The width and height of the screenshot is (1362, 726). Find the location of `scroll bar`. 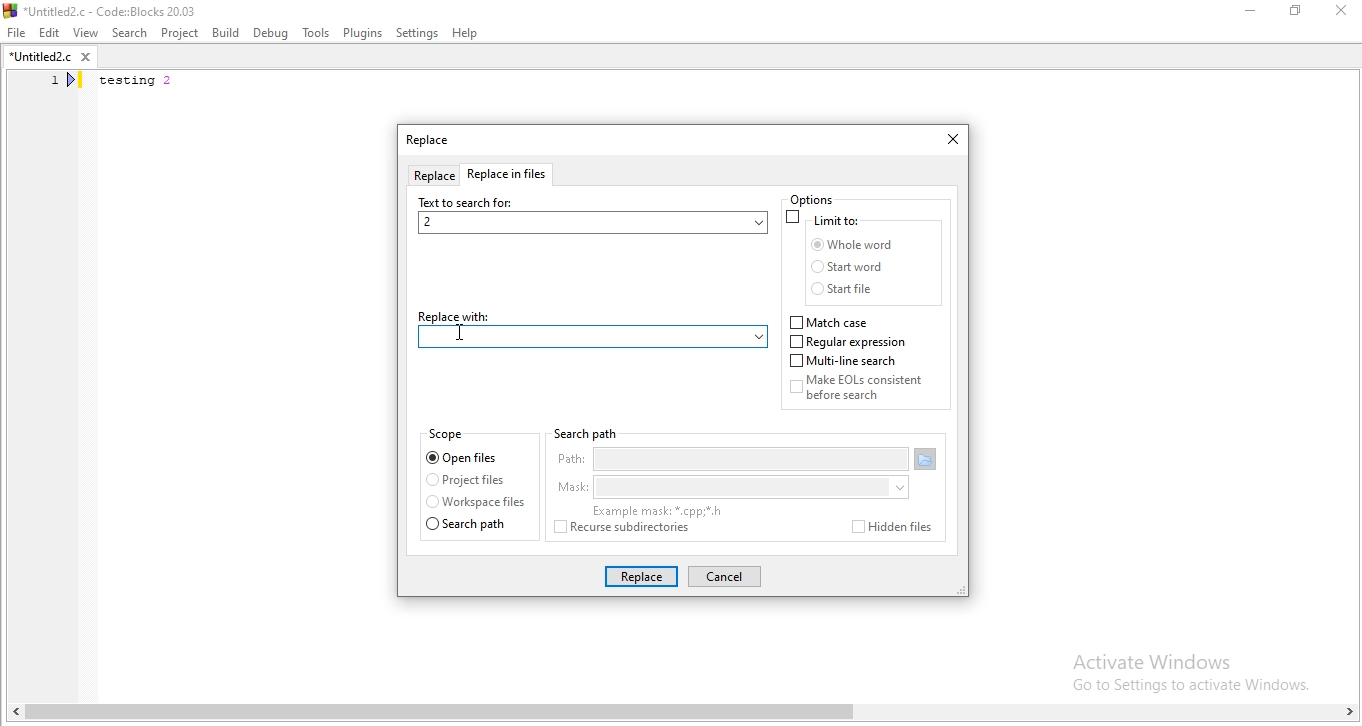

scroll bar is located at coordinates (681, 714).